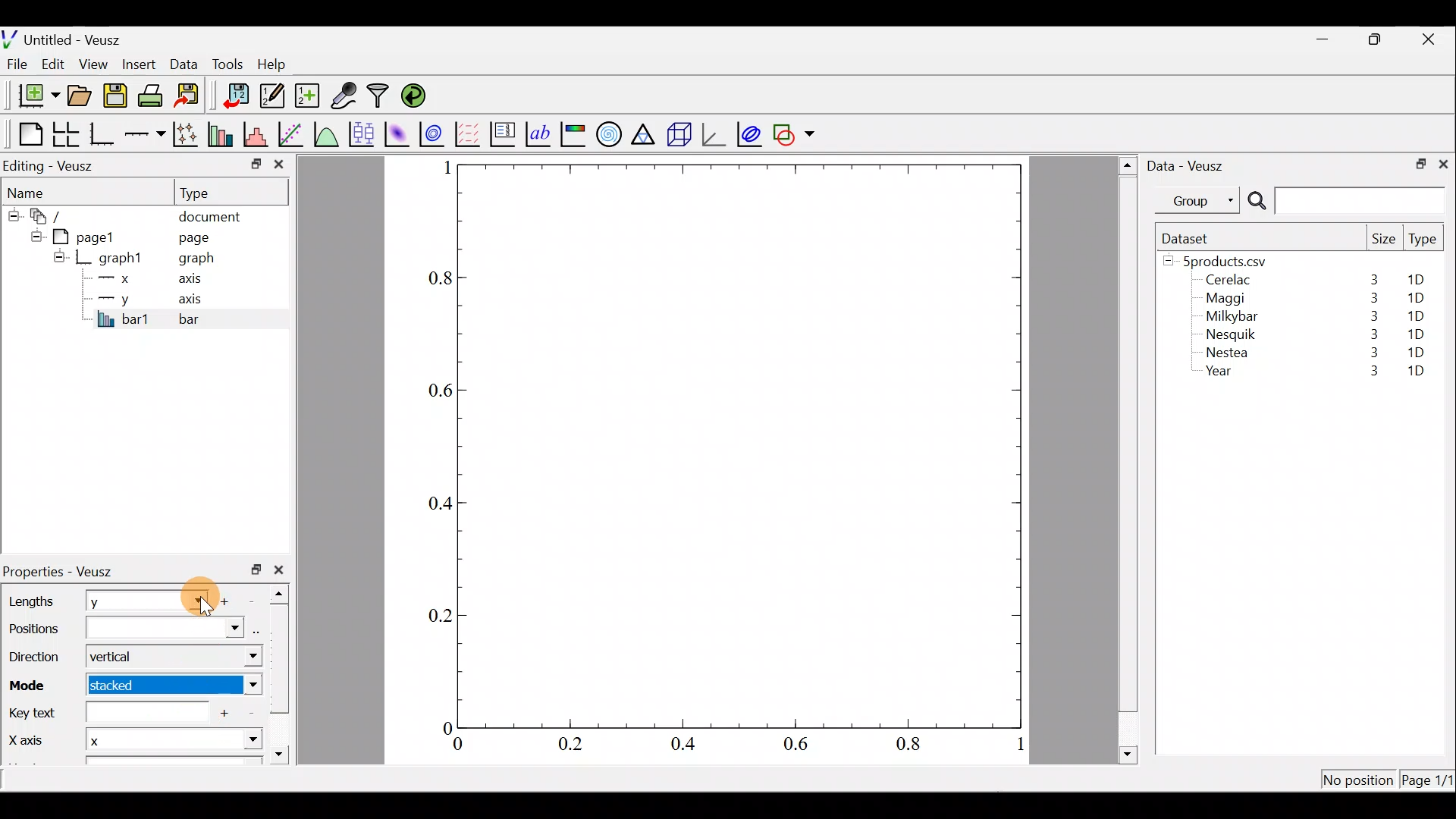 The image size is (1456, 819). I want to click on Year, so click(1222, 375).